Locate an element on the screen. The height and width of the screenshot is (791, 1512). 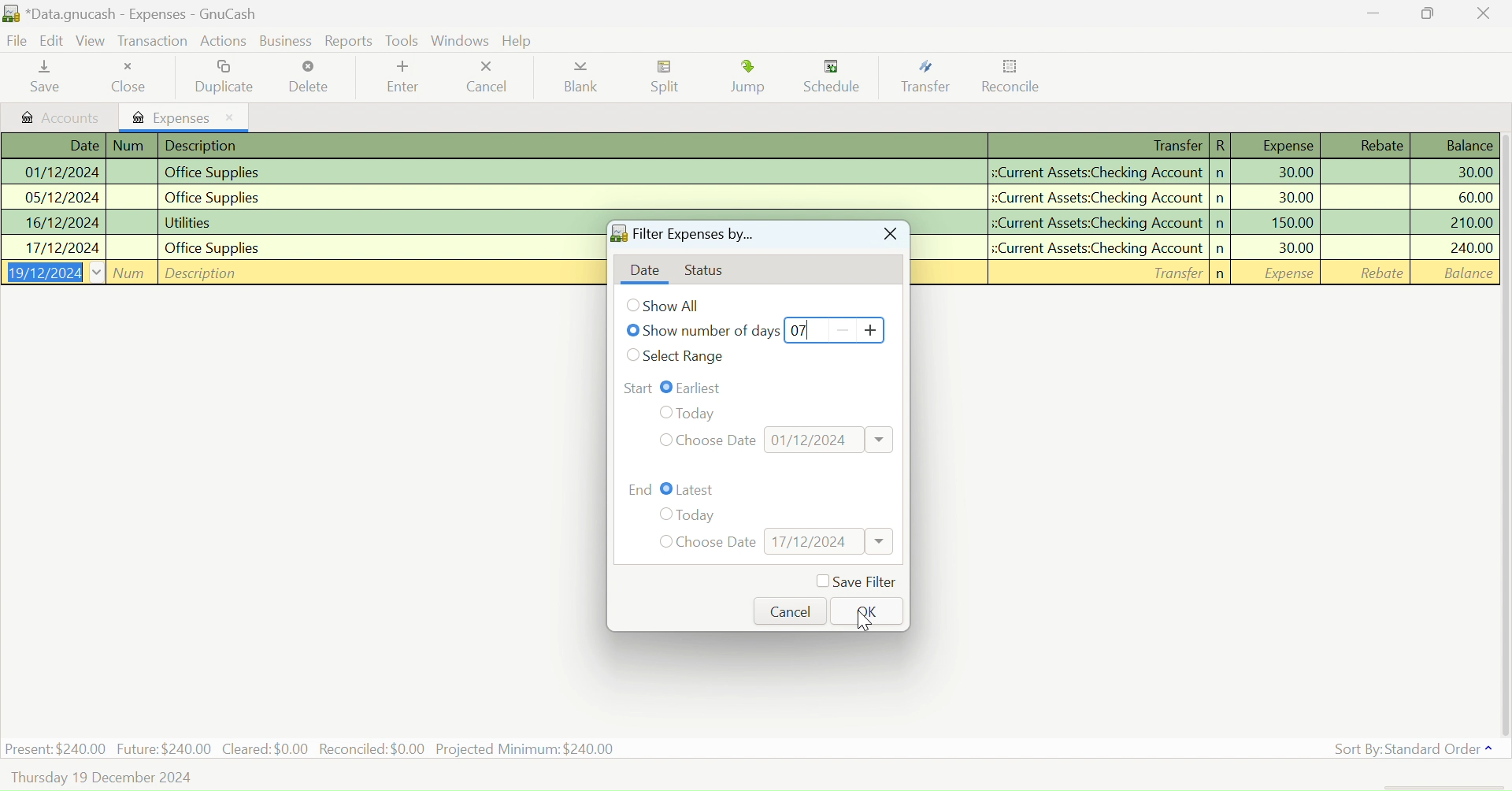
Business is located at coordinates (288, 41).